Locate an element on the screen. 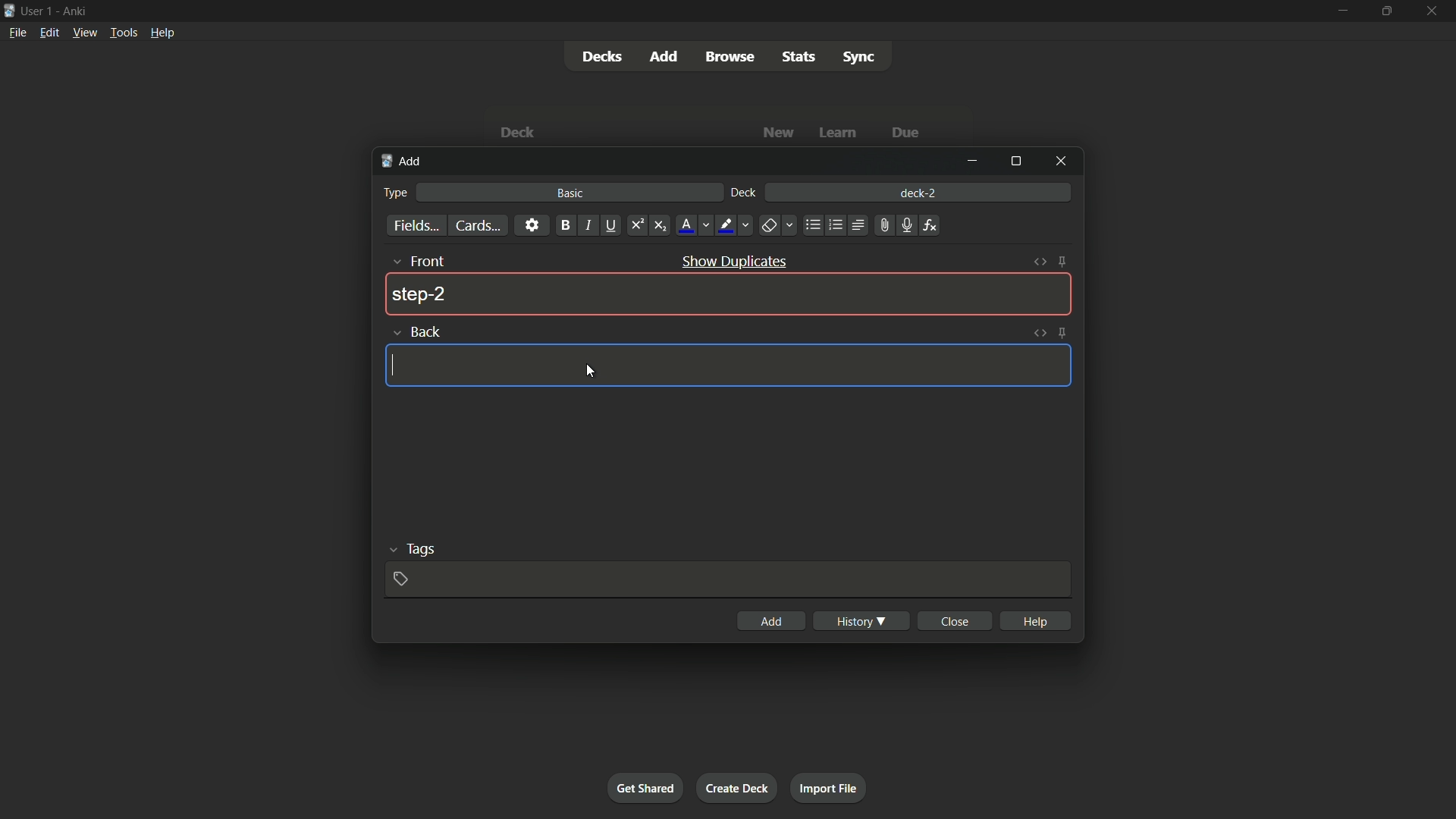  unordered list is located at coordinates (812, 226).